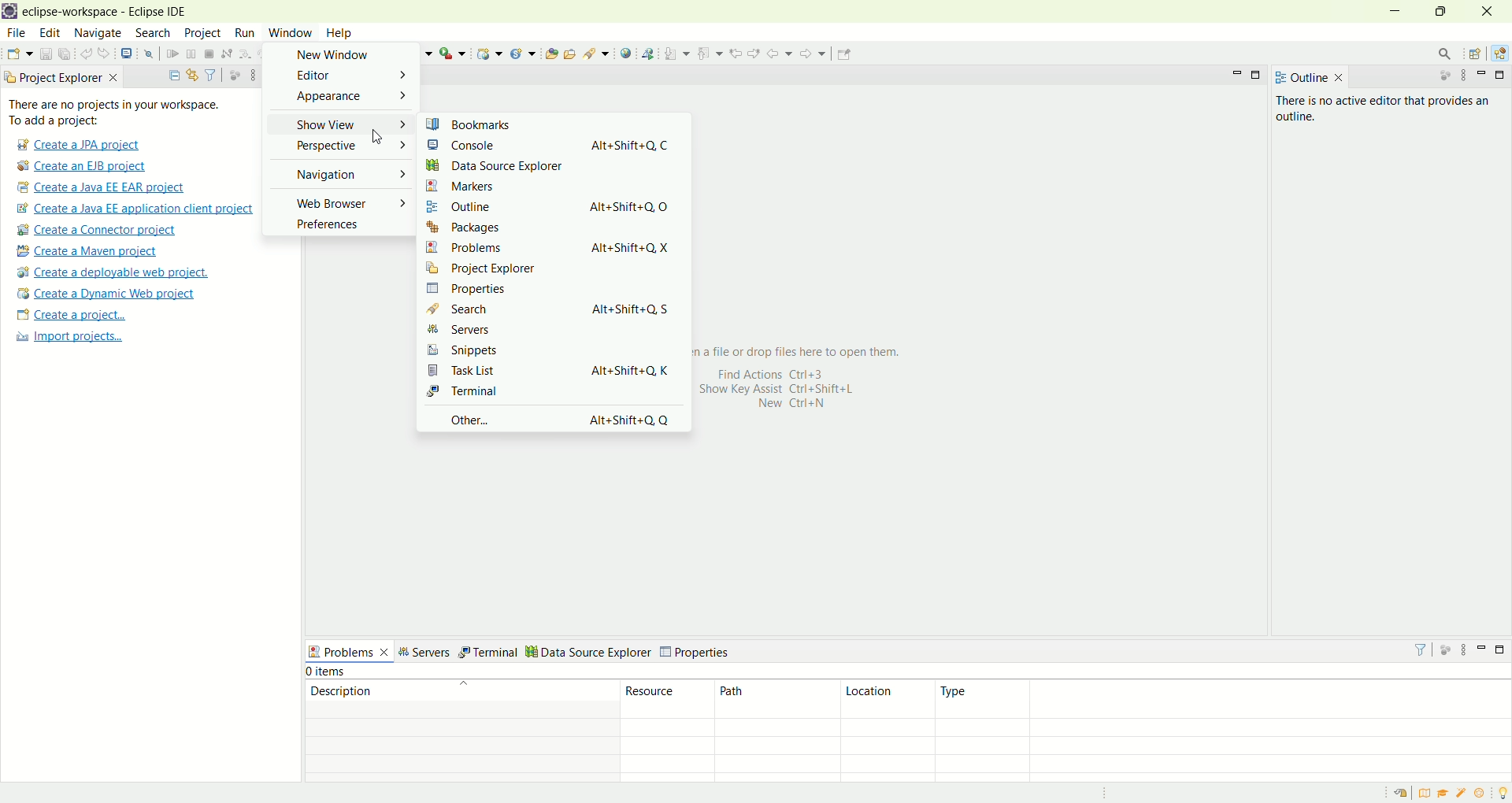  What do you see at coordinates (489, 228) in the screenshot?
I see `packages` at bounding box center [489, 228].